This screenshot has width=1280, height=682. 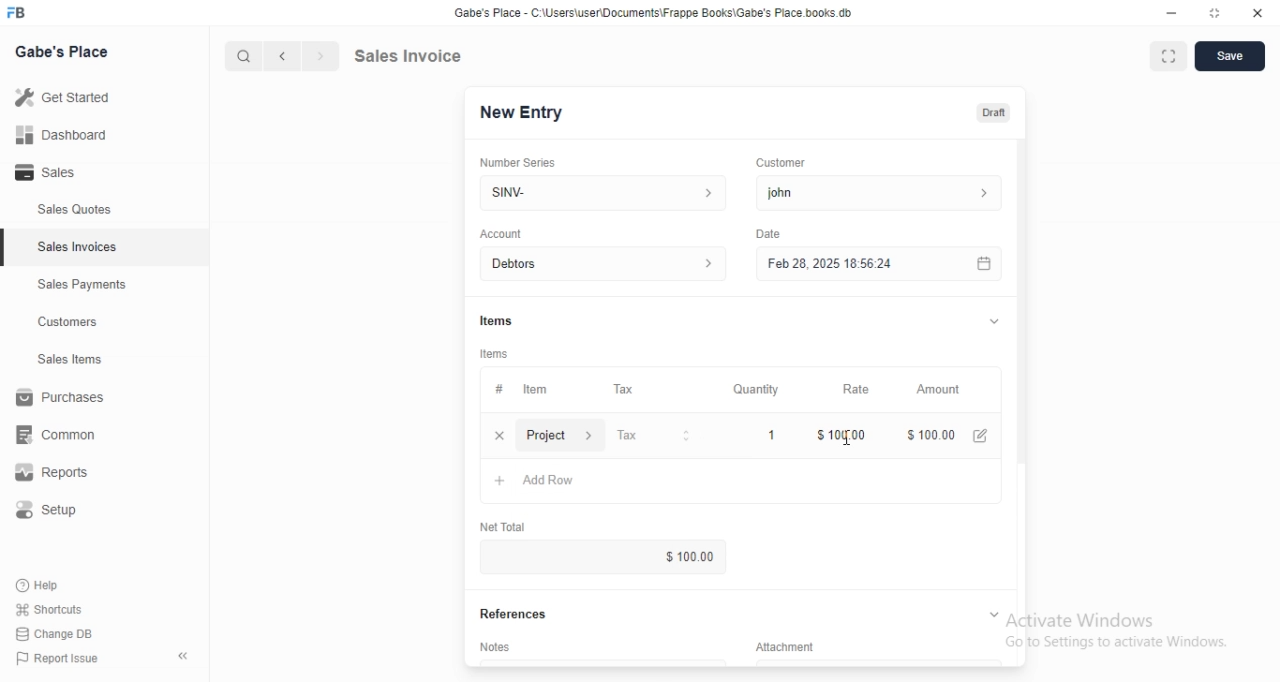 What do you see at coordinates (768, 232) in the screenshot?
I see `Date` at bounding box center [768, 232].